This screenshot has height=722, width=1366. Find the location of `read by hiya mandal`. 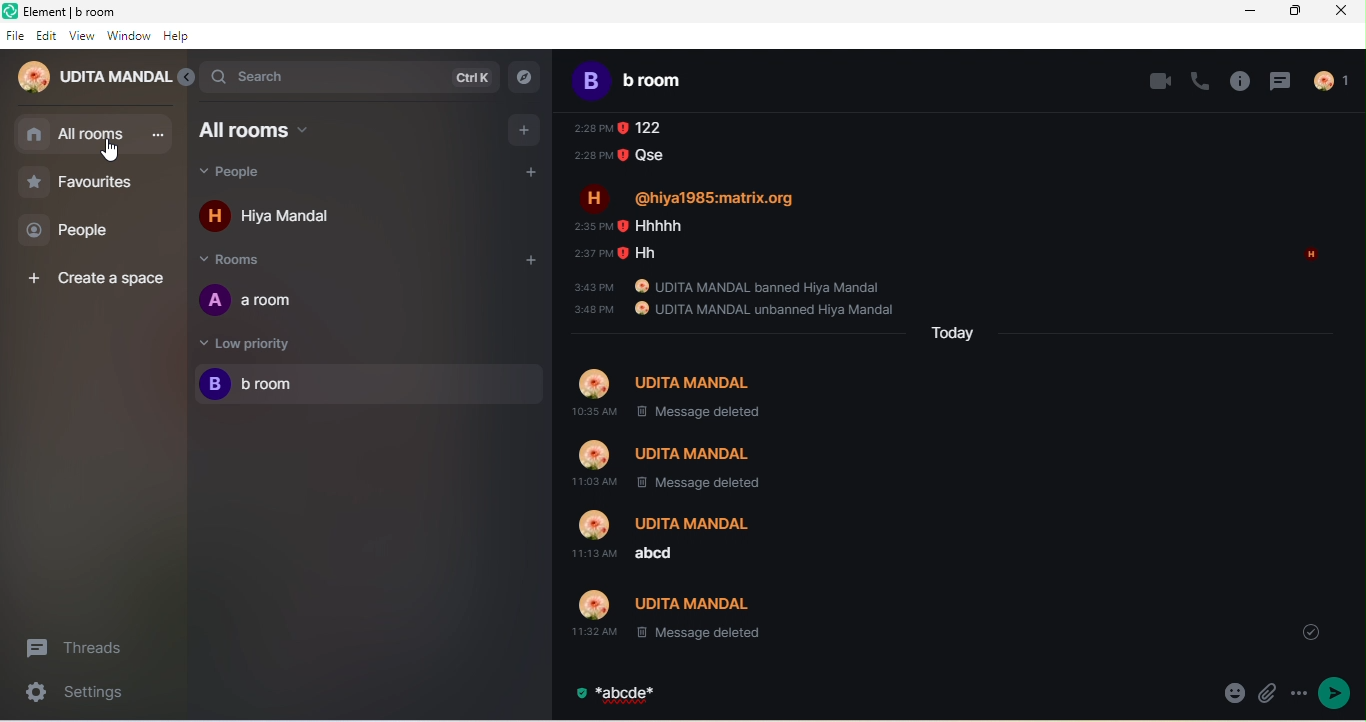

read by hiya mandal is located at coordinates (1308, 259).